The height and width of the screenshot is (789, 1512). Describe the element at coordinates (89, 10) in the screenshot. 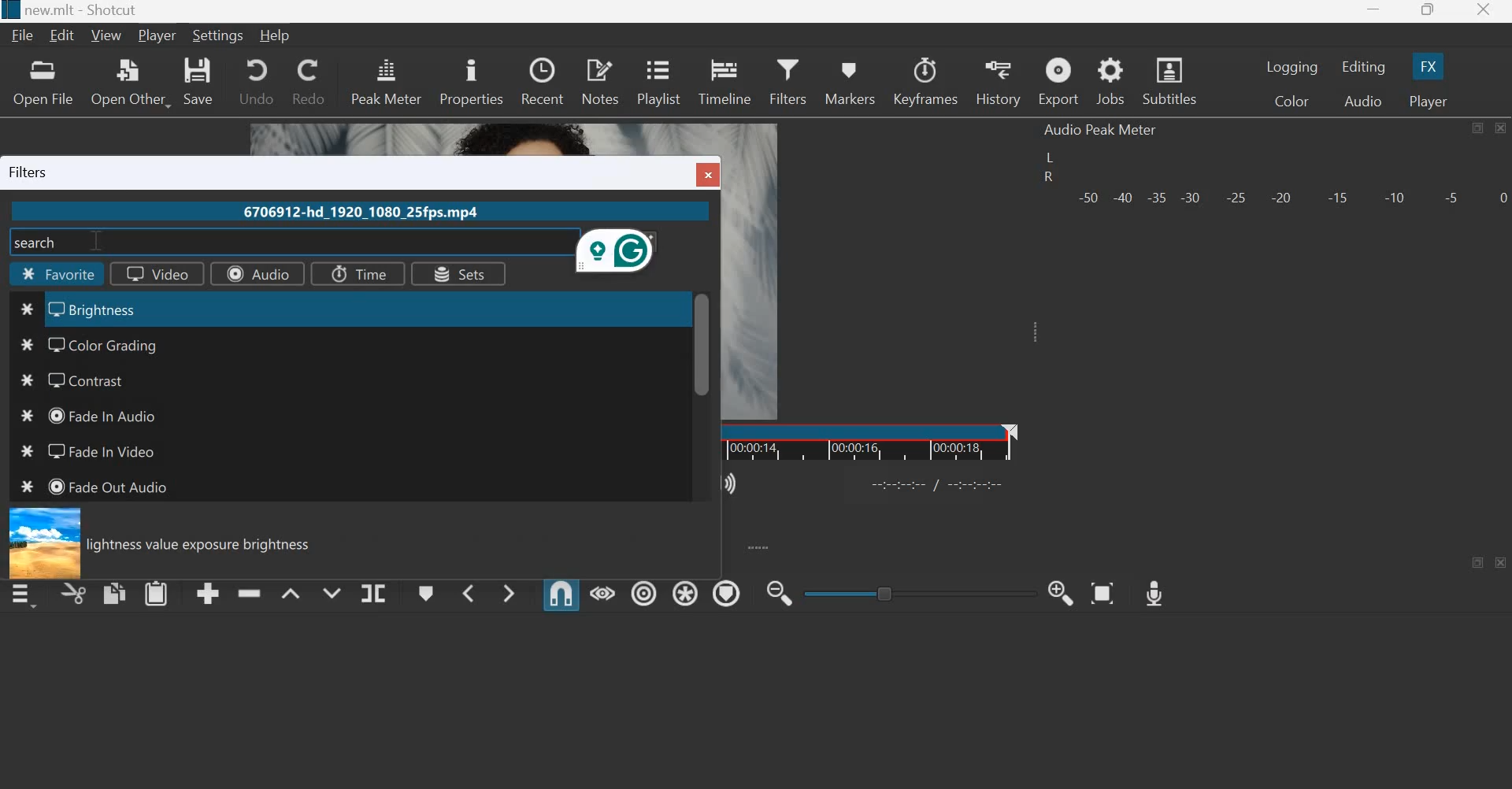

I see `new.mlt - Shotcut` at that location.